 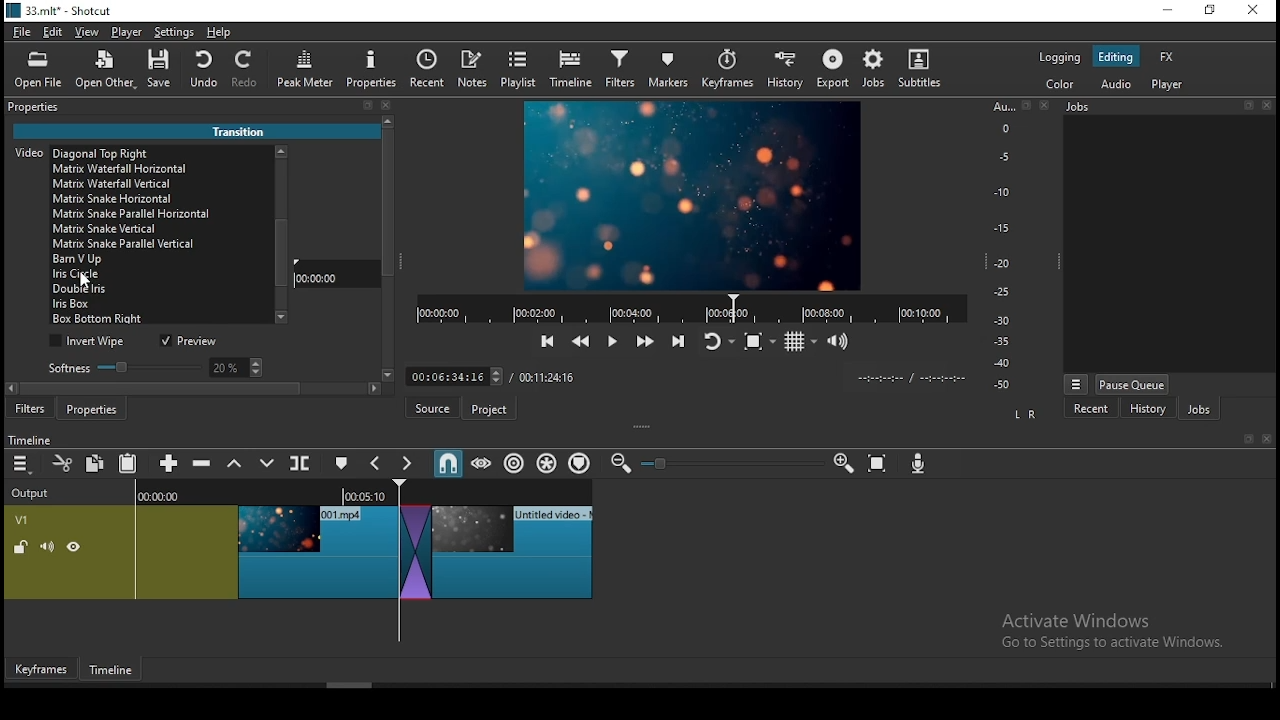 What do you see at coordinates (514, 464) in the screenshot?
I see `ripple` at bounding box center [514, 464].